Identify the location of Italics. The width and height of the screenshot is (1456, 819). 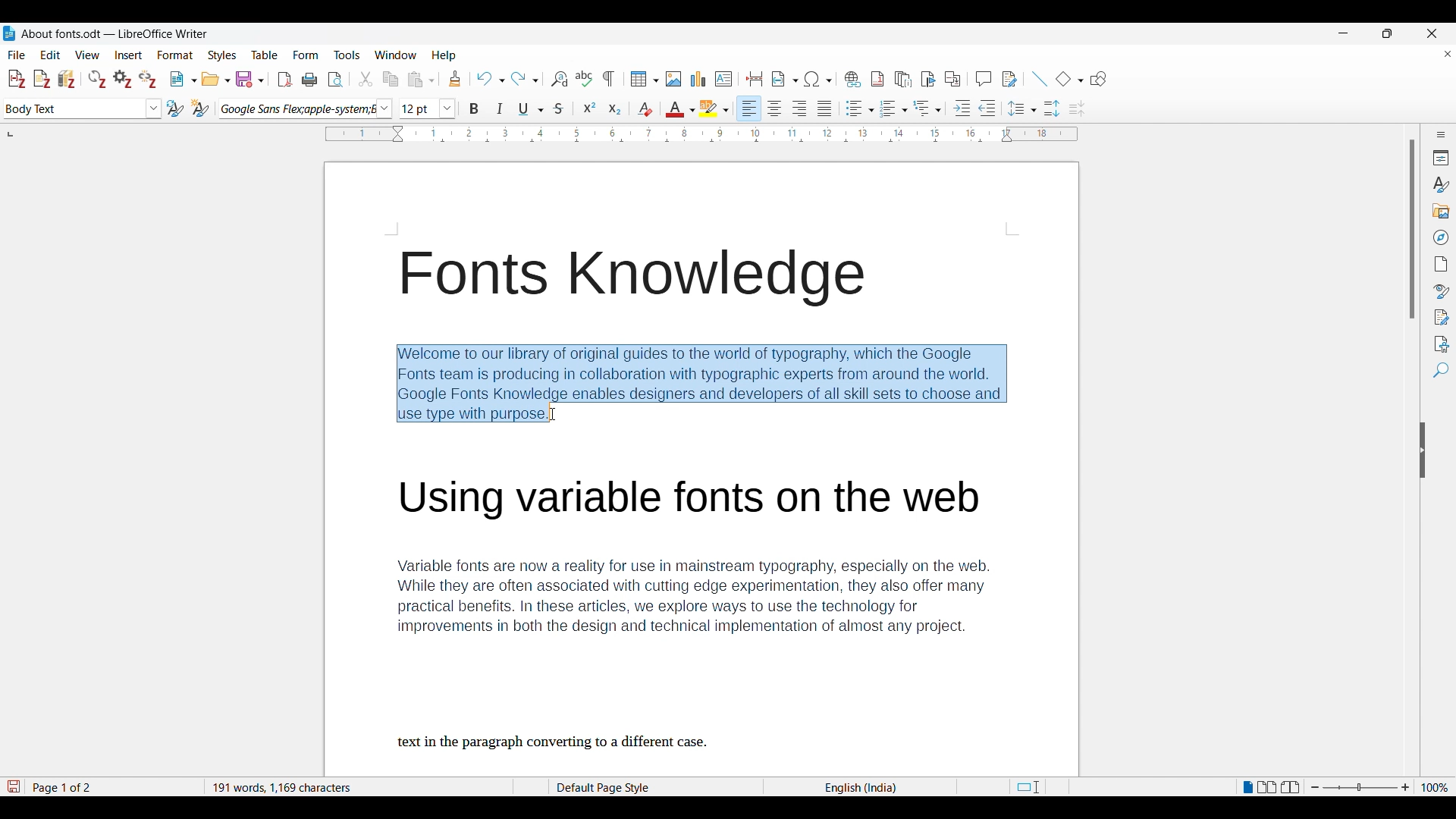
(500, 108).